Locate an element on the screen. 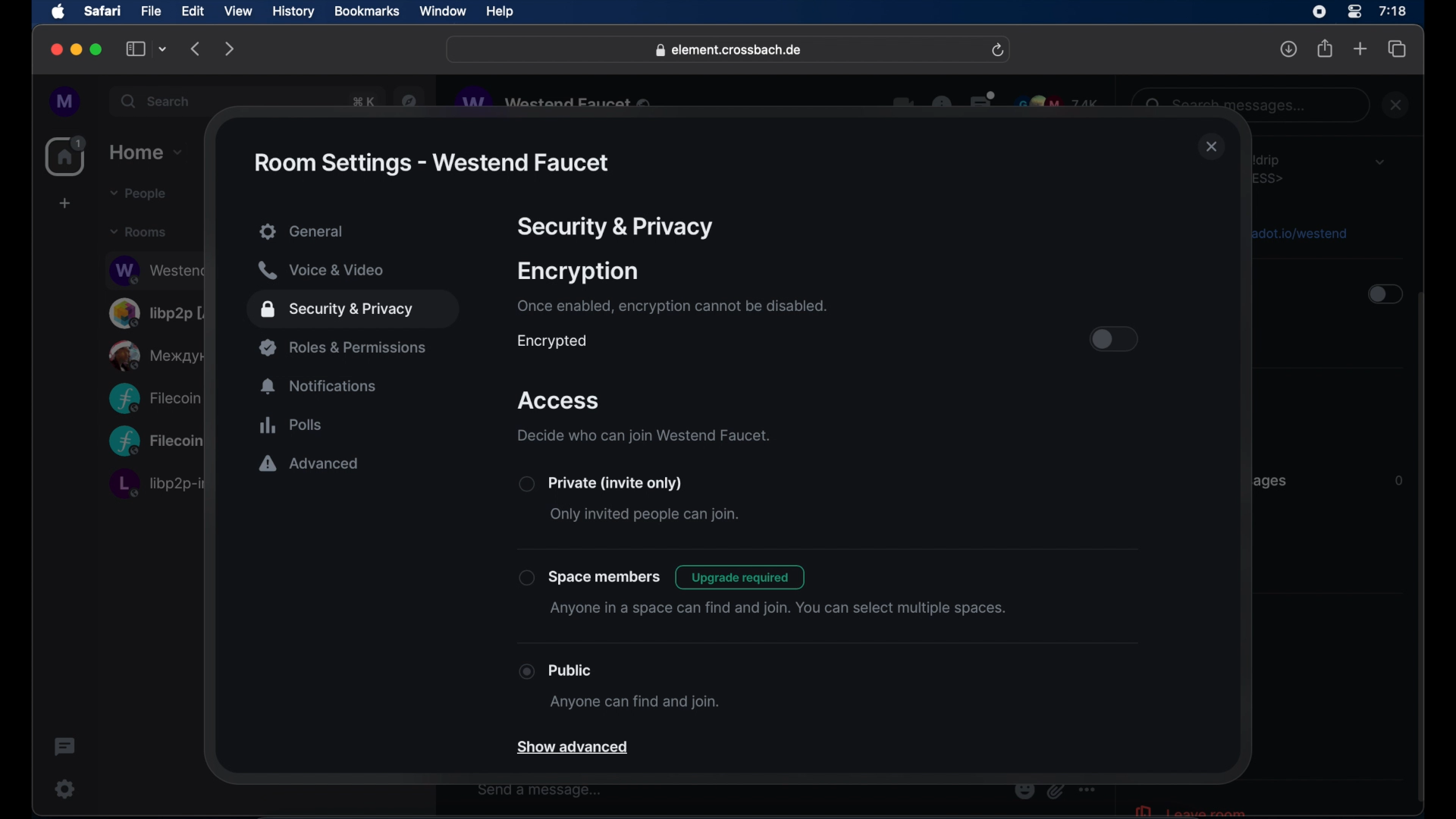 The height and width of the screenshot is (819, 1456). encryption is located at coordinates (578, 272).